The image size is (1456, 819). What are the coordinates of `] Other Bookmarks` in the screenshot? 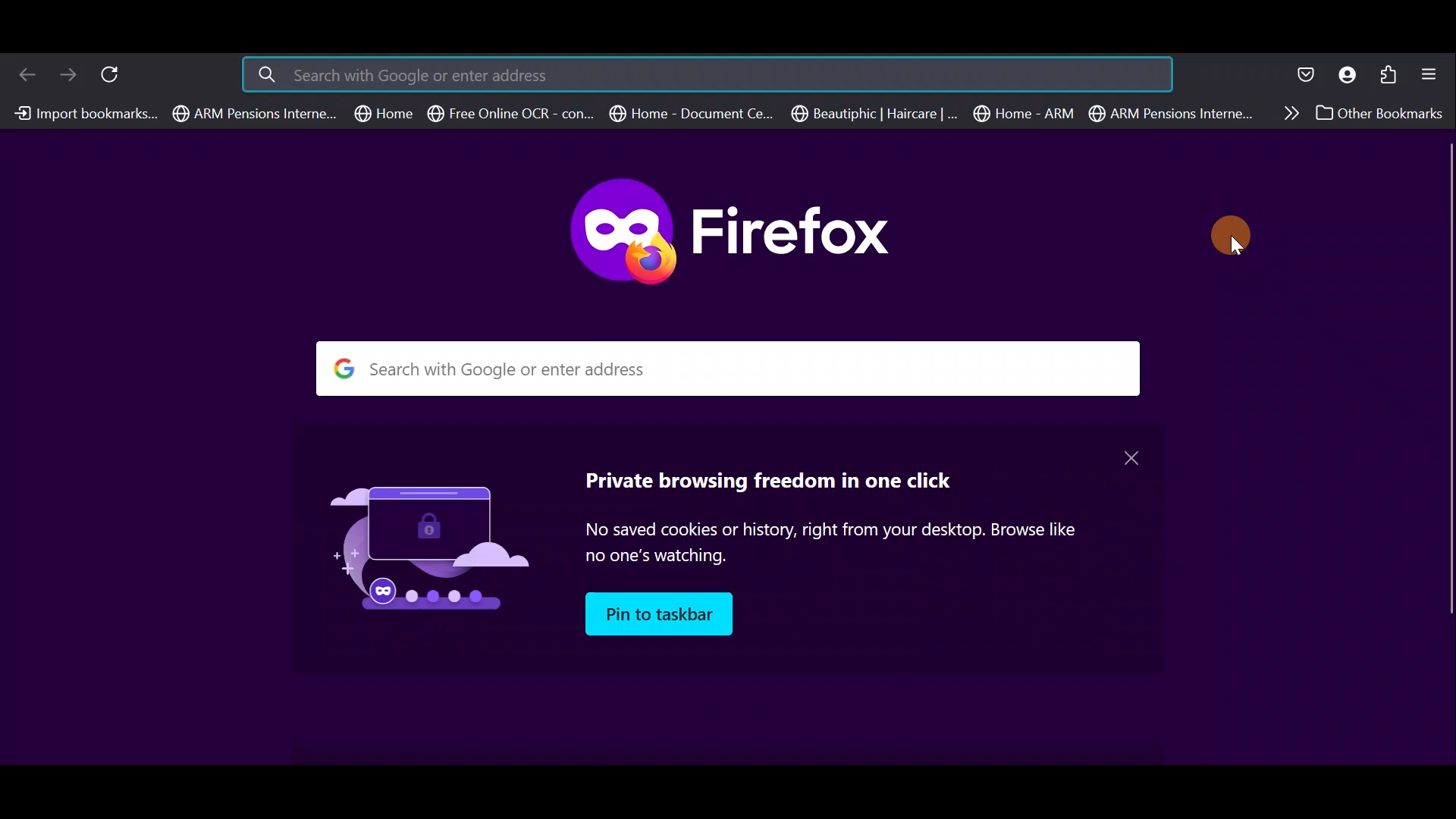 It's located at (1376, 114).